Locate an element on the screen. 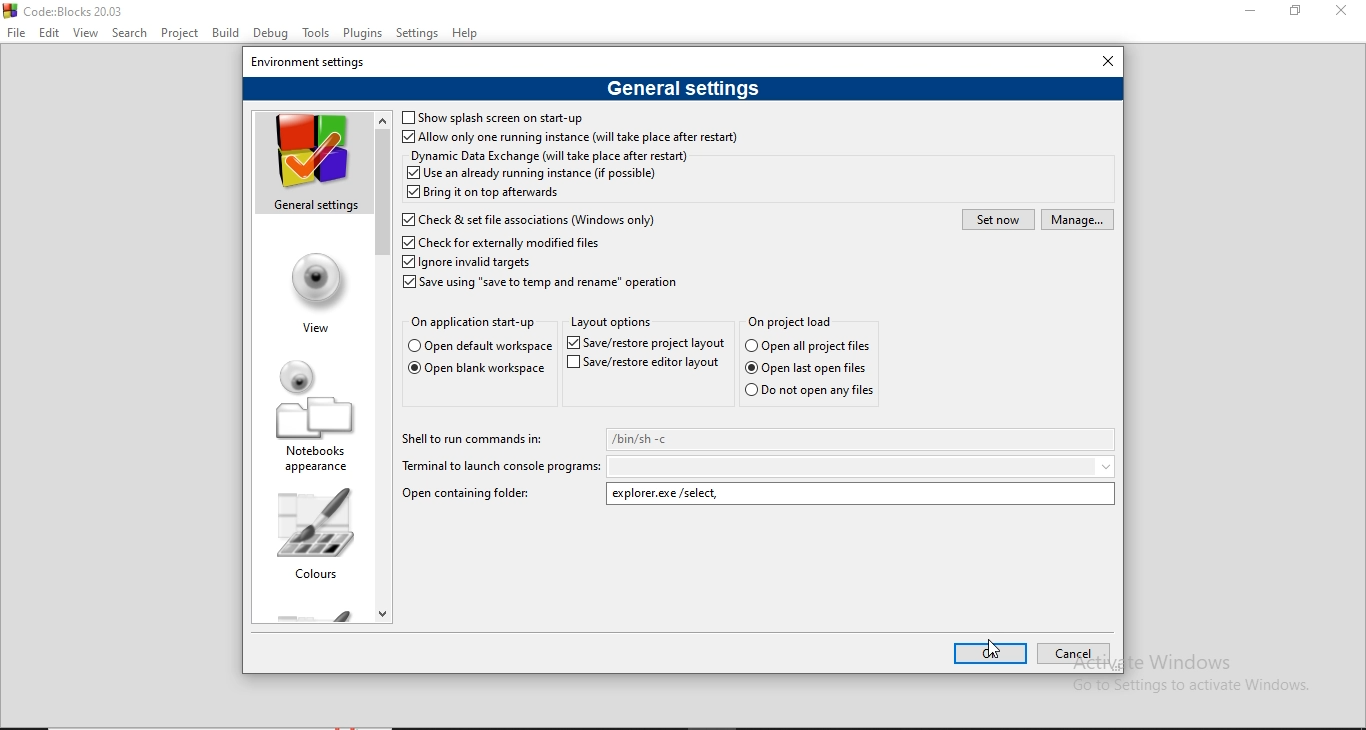 The image size is (1366, 730). Open blank workspace is located at coordinates (476, 370).